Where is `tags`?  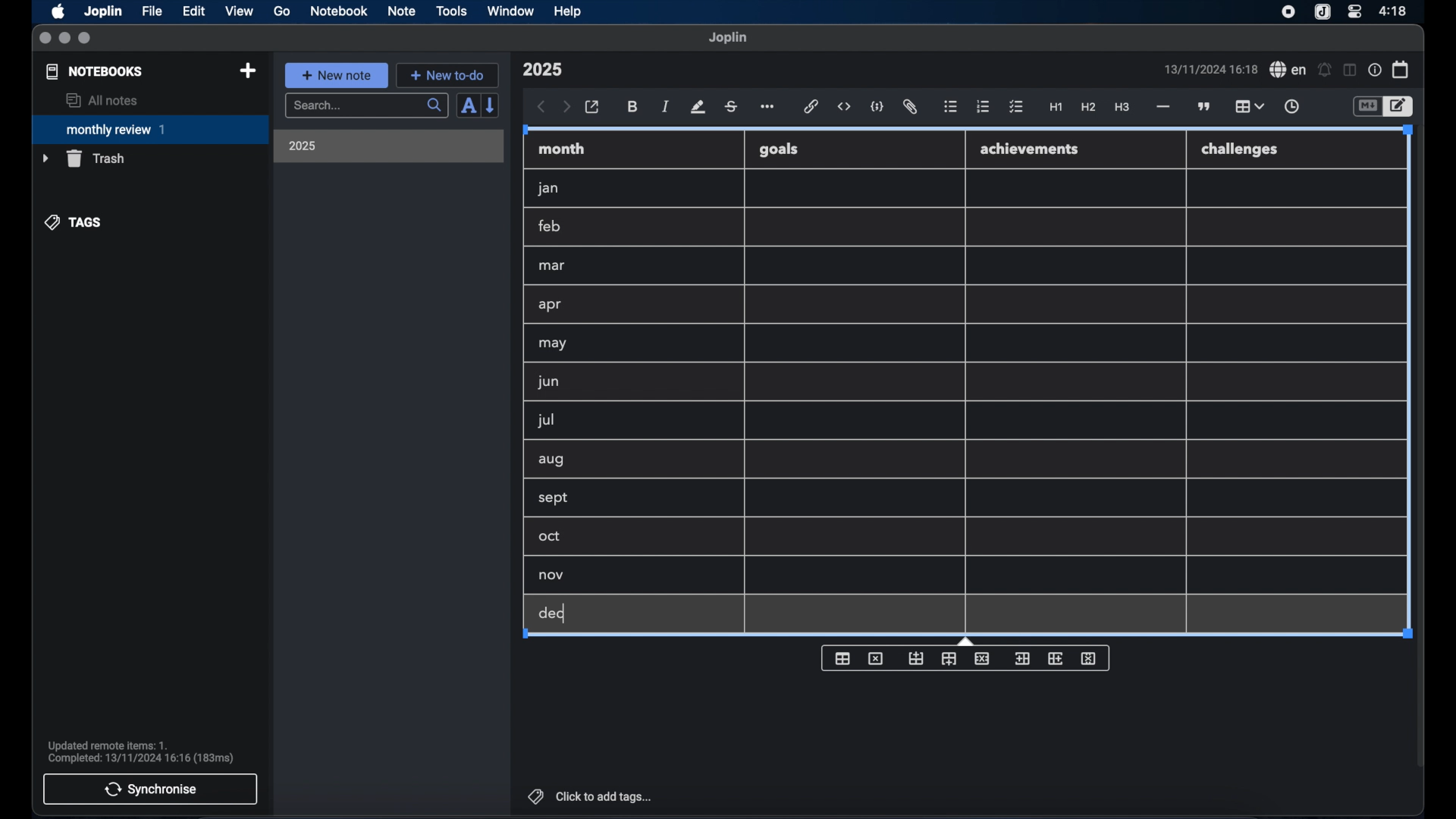
tags is located at coordinates (74, 222).